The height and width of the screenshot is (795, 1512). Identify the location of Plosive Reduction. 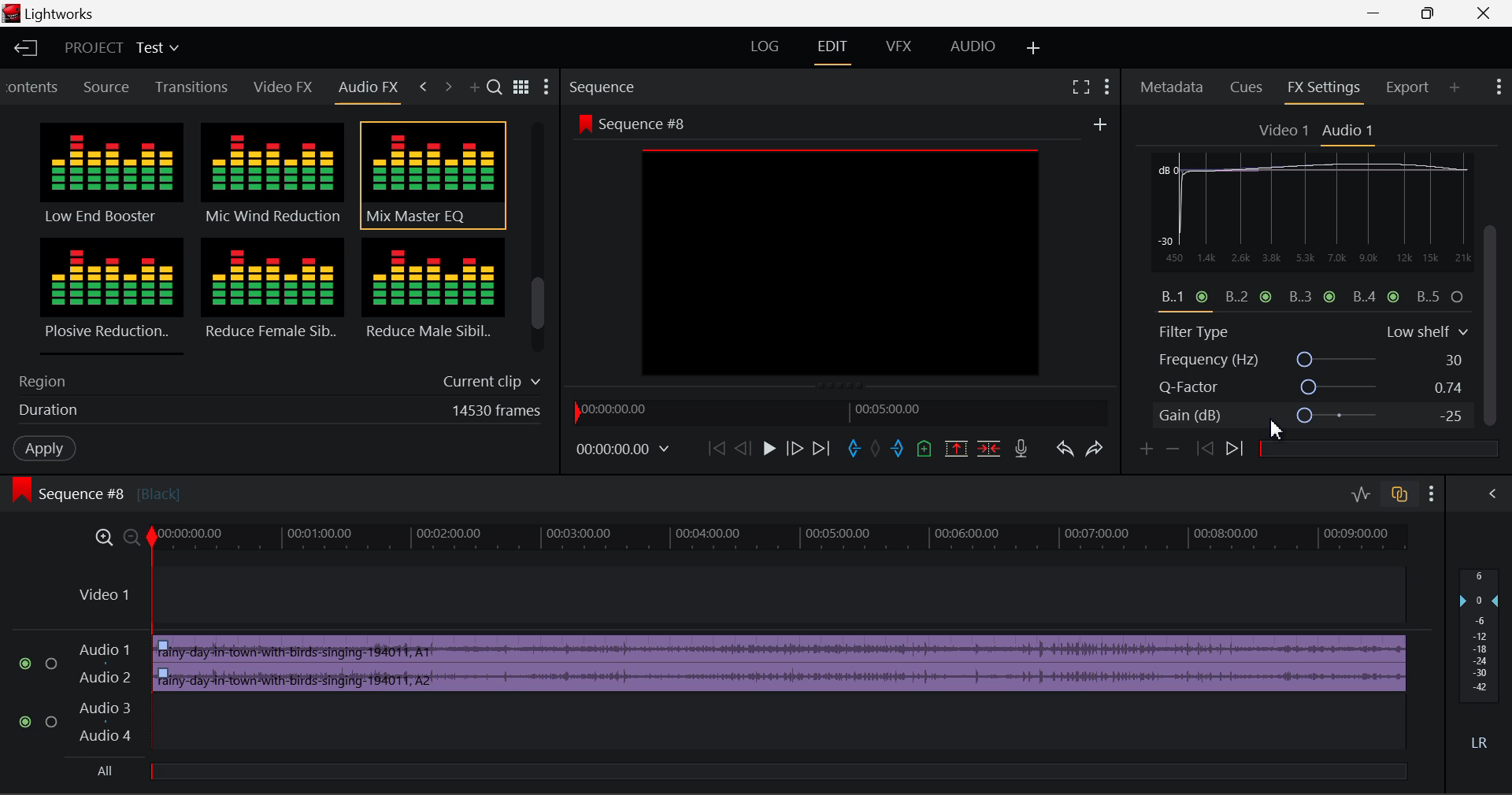
(109, 294).